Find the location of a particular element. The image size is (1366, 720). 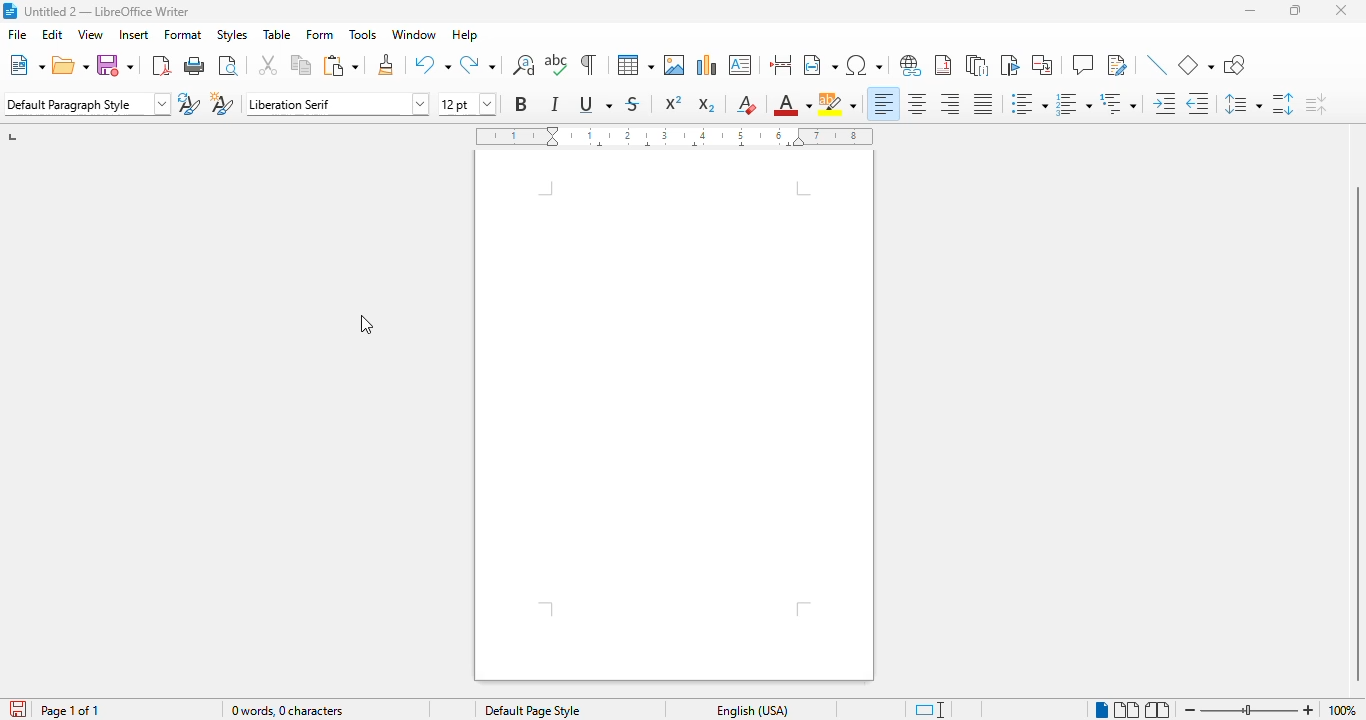

subscript is located at coordinates (707, 104).